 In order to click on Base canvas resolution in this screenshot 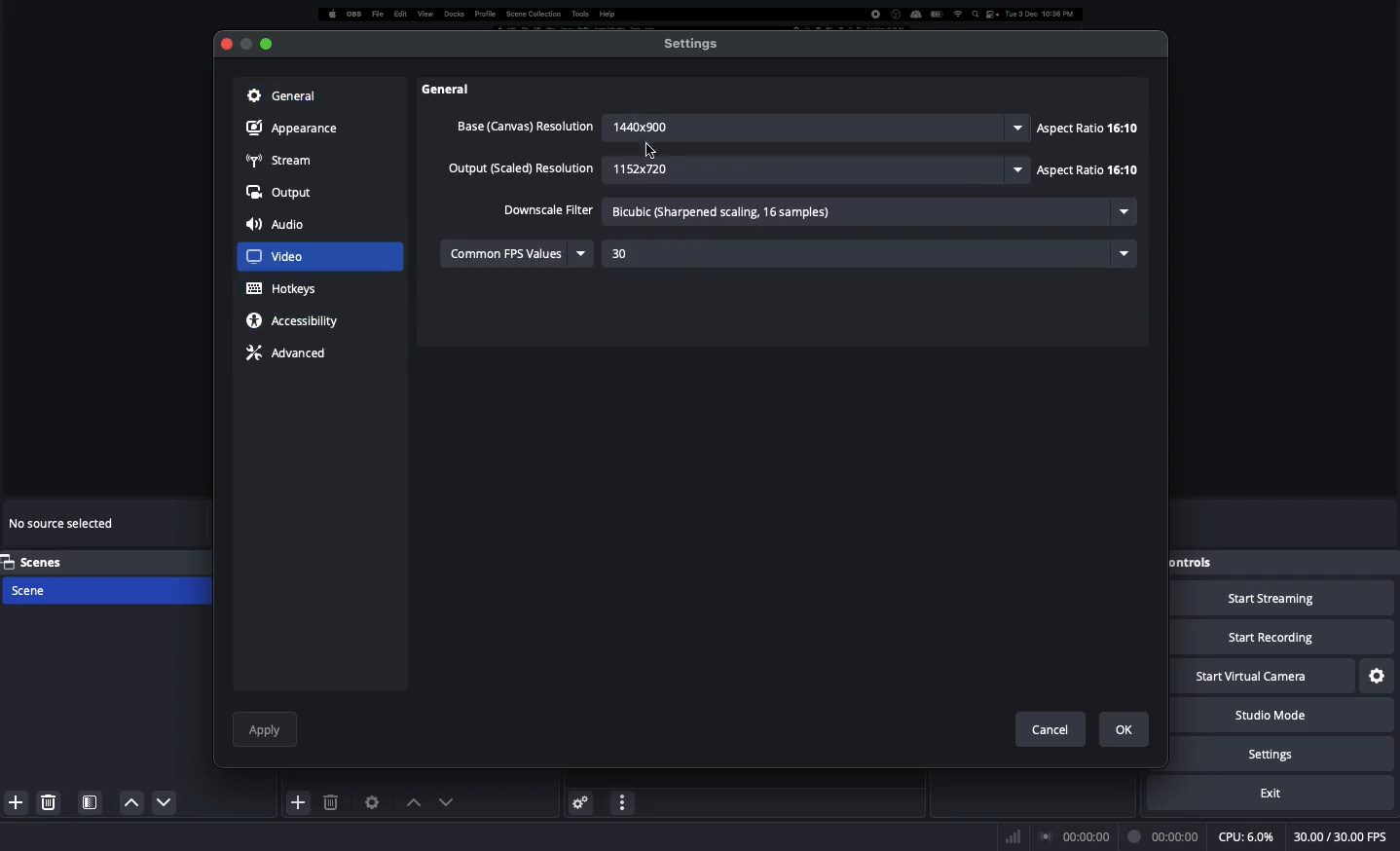, I will do `click(523, 126)`.